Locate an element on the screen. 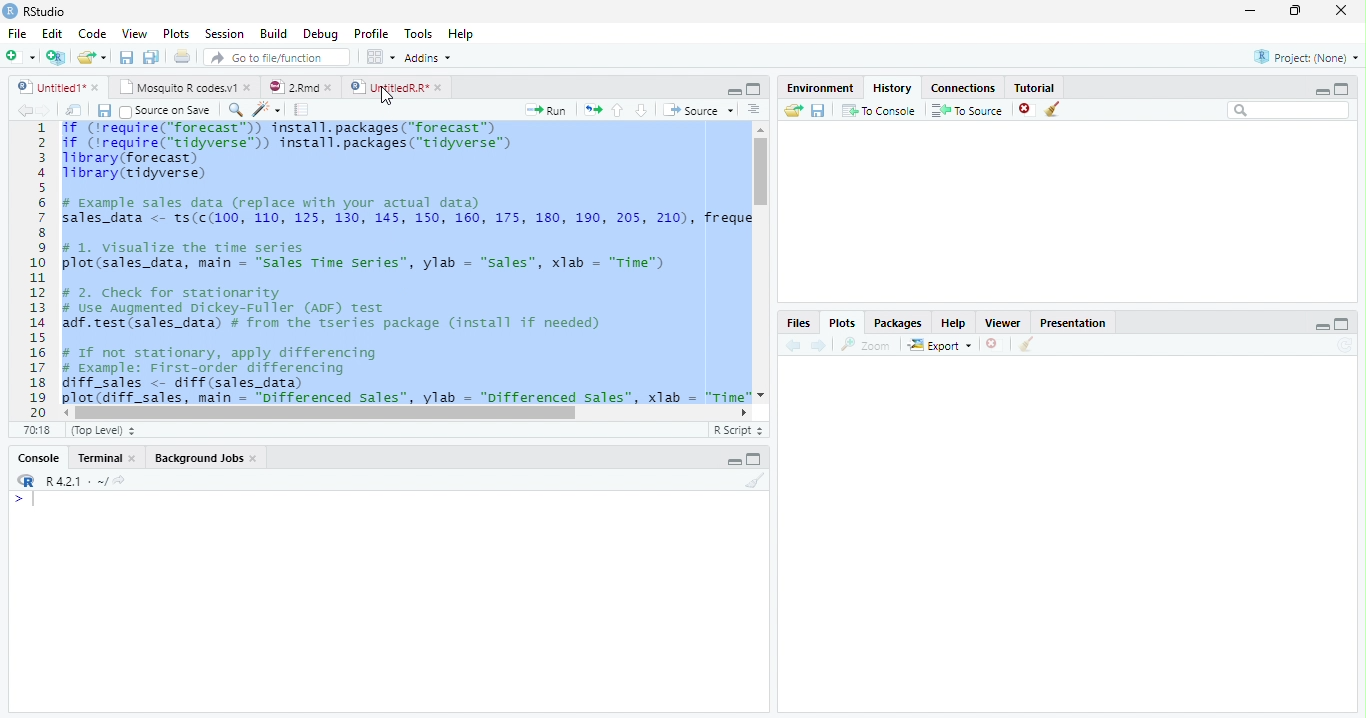  Print is located at coordinates (182, 57).